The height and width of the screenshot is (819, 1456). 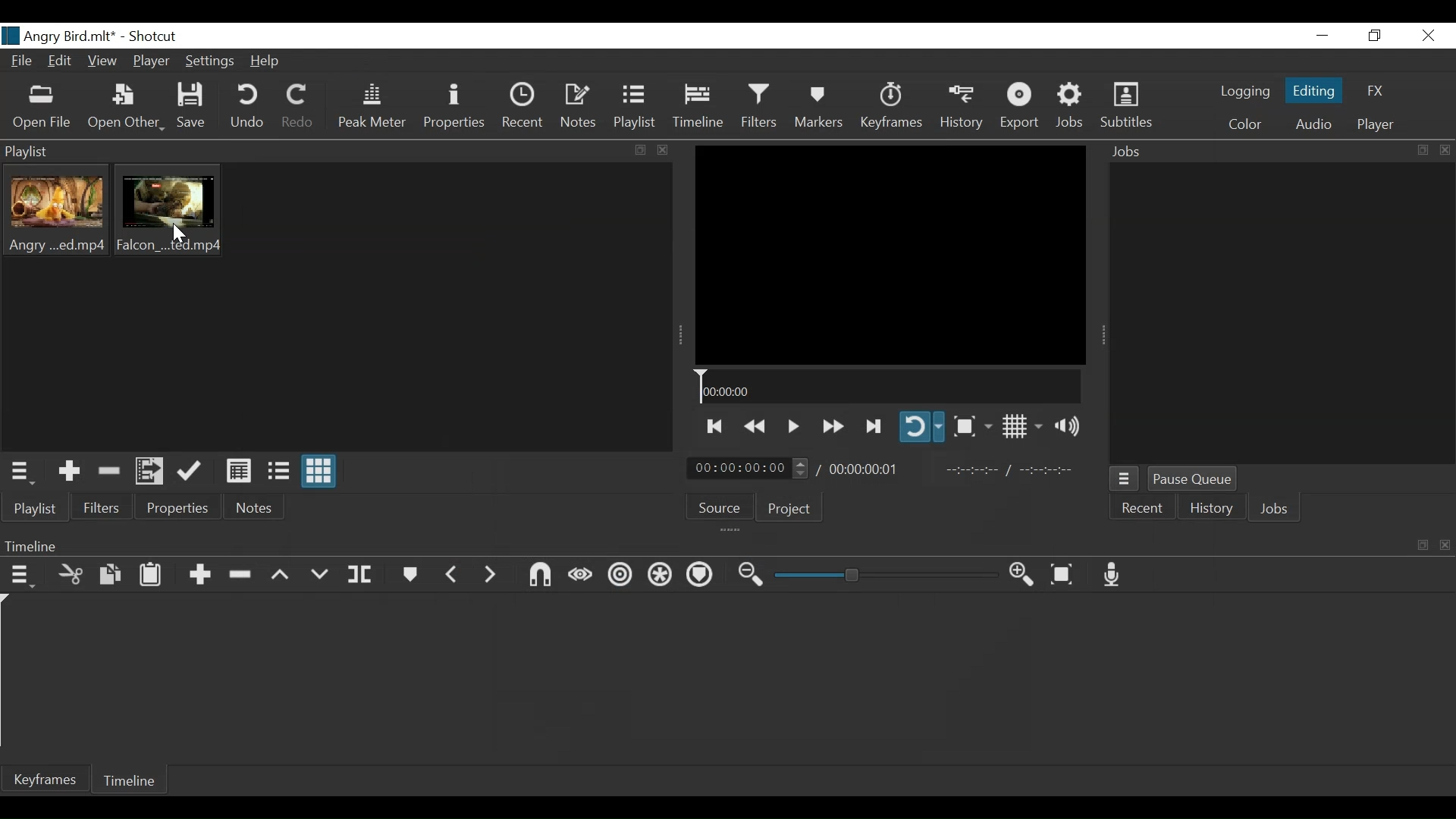 What do you see at coordinates (1245, 93) in the screenshot?
I see `logging` at bounding box center [1245, 93].